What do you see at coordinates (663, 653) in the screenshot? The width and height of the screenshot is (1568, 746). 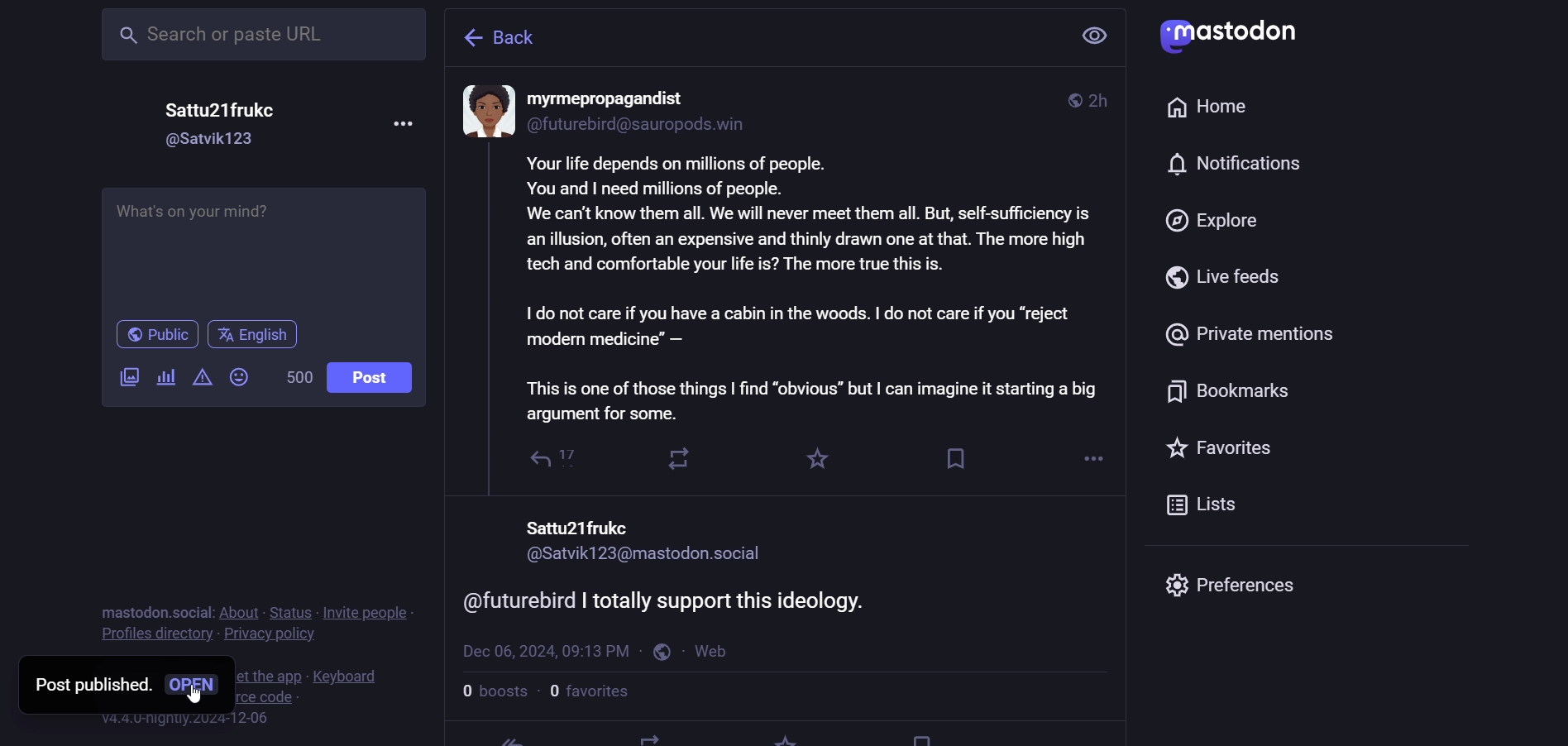 I see `public` at bounding box center [663, 653].